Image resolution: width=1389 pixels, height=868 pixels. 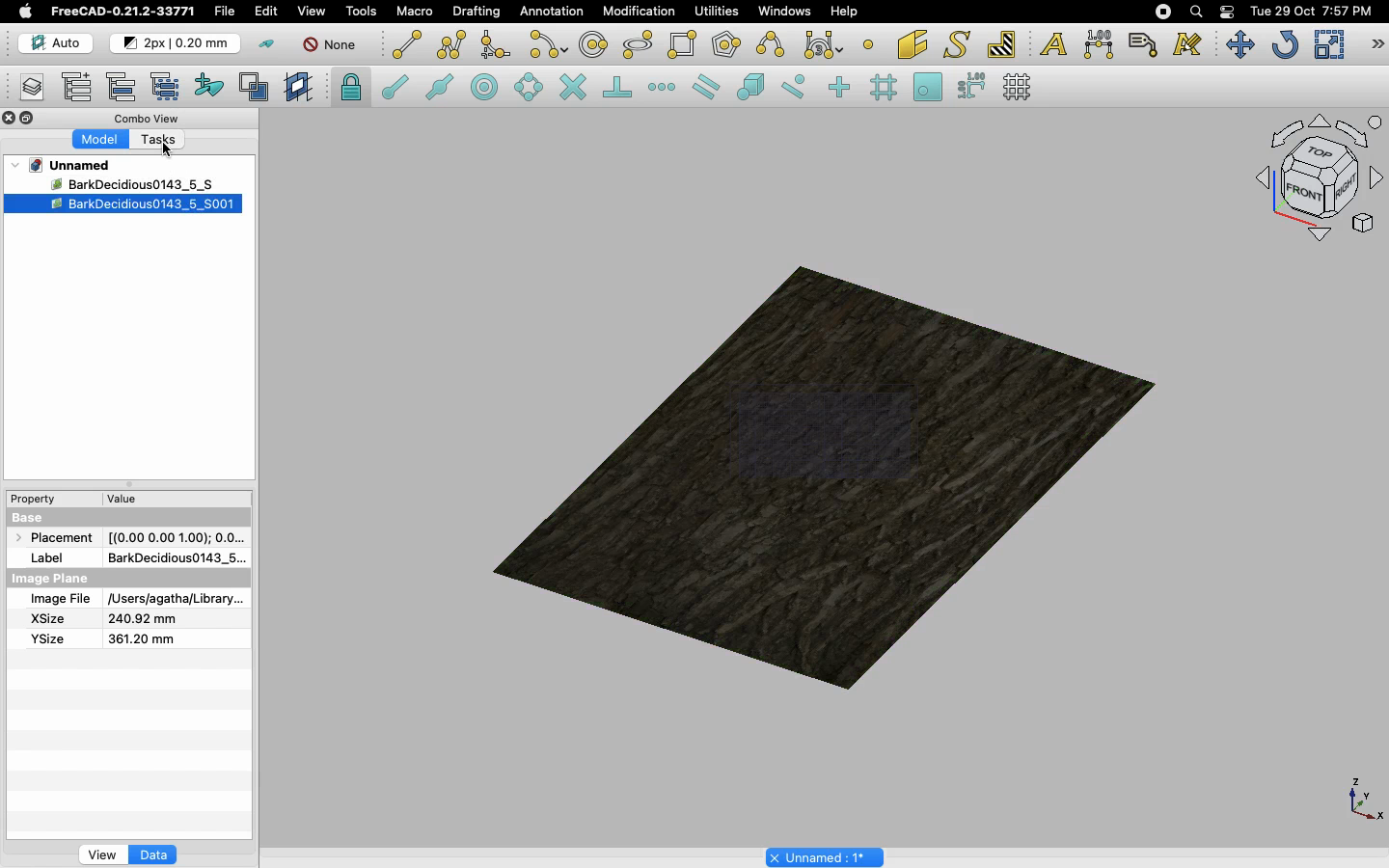 I want to click on Select group, so click(x=167, y=85).